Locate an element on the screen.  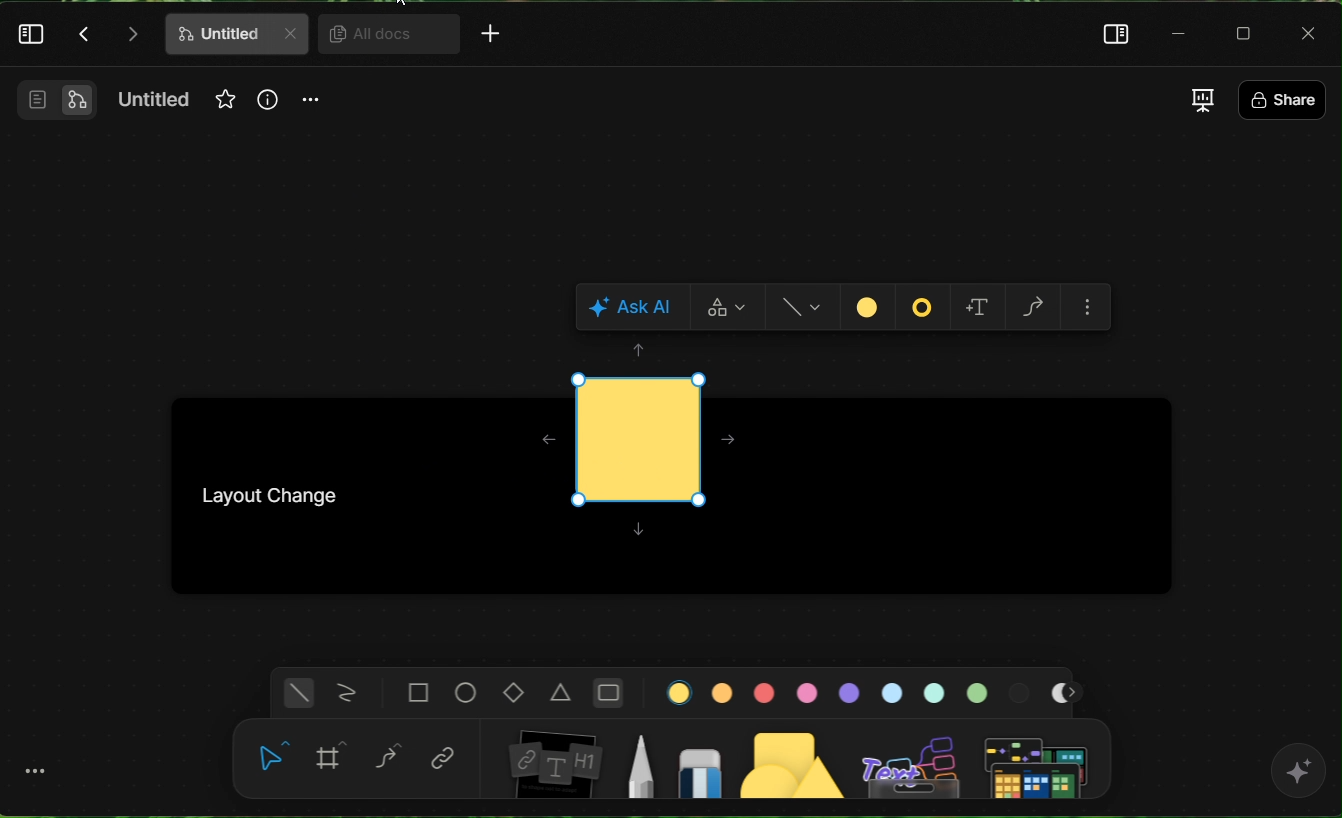
AI is located at coordinates (1300, 781).